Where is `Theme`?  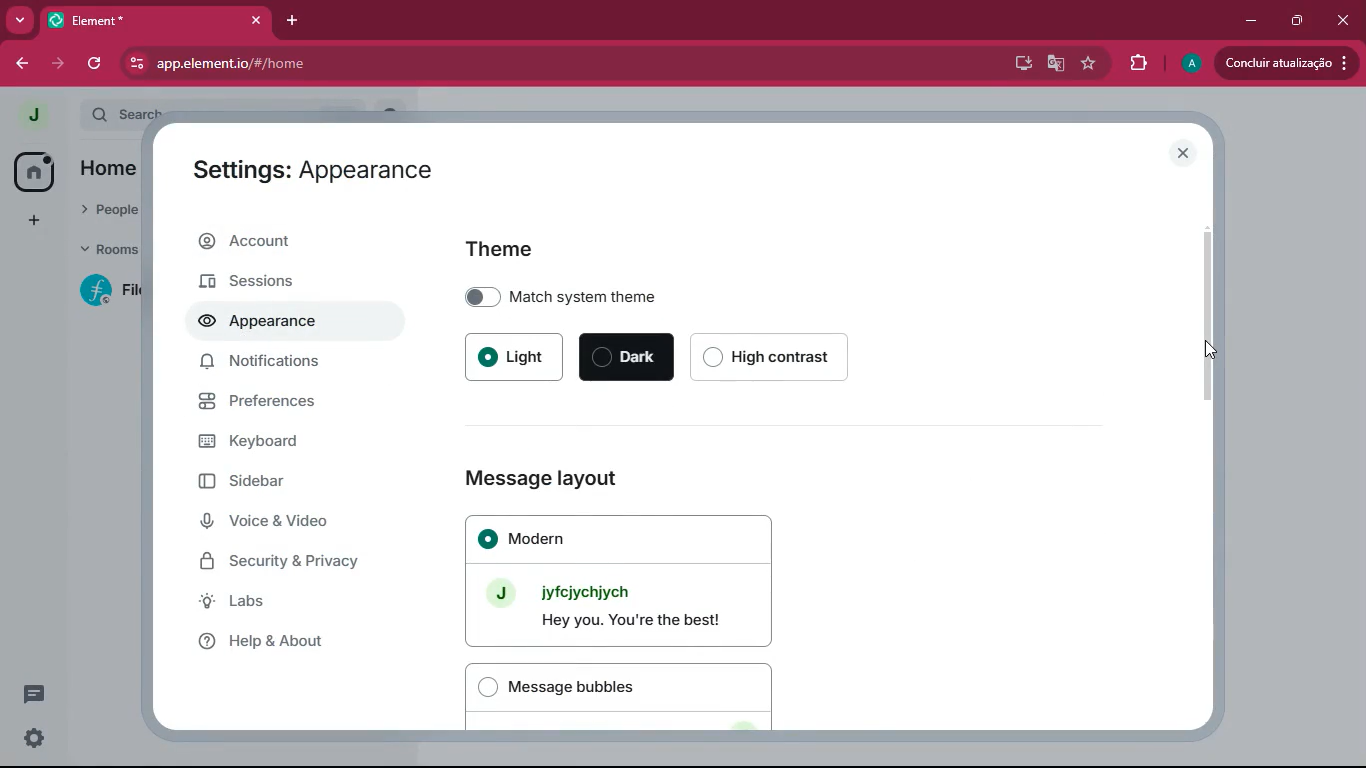
Theme is located at coordinates (503, 247).